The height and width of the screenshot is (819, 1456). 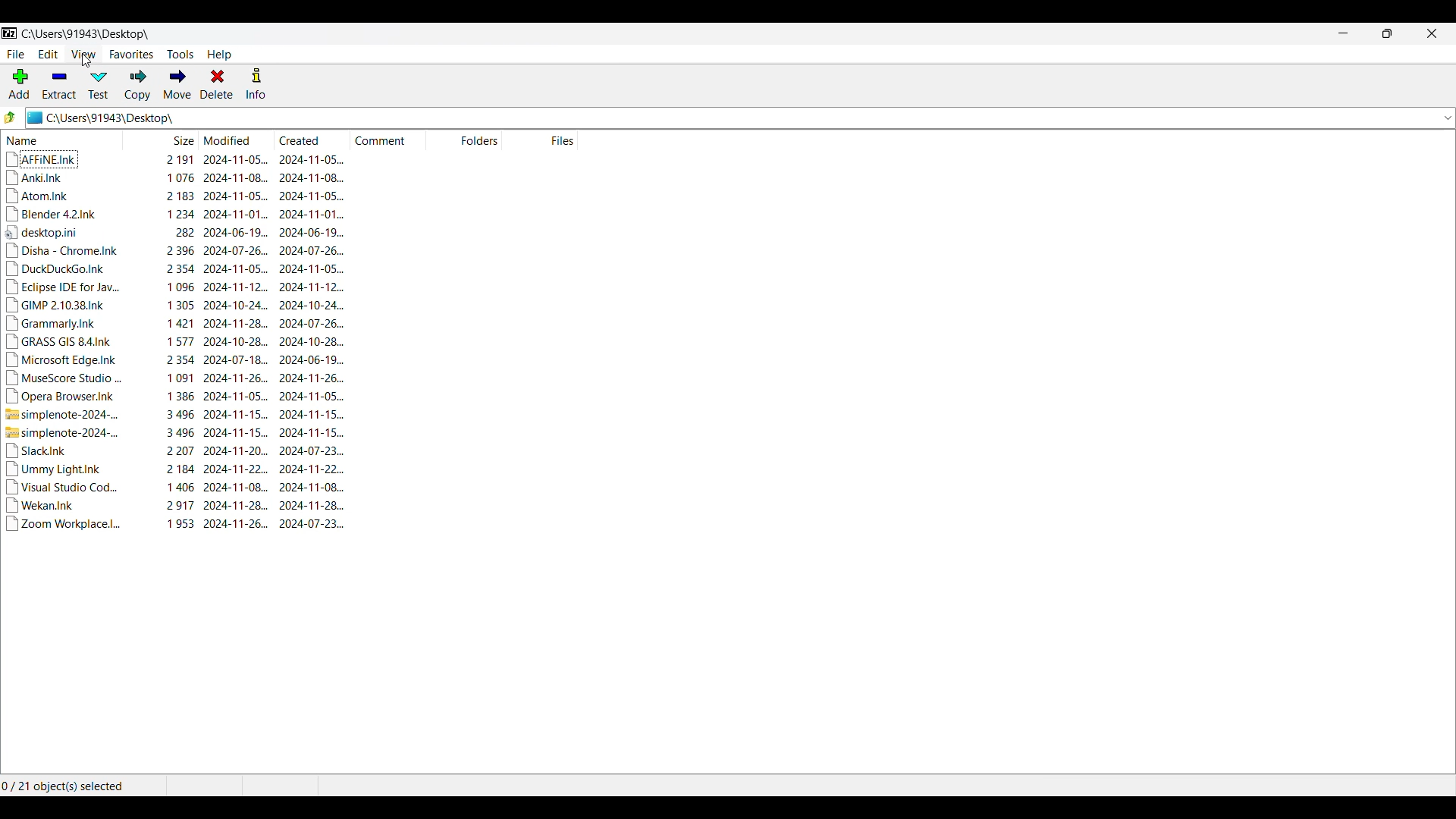 I want to click on Resize, so click(x=1387, y=33).